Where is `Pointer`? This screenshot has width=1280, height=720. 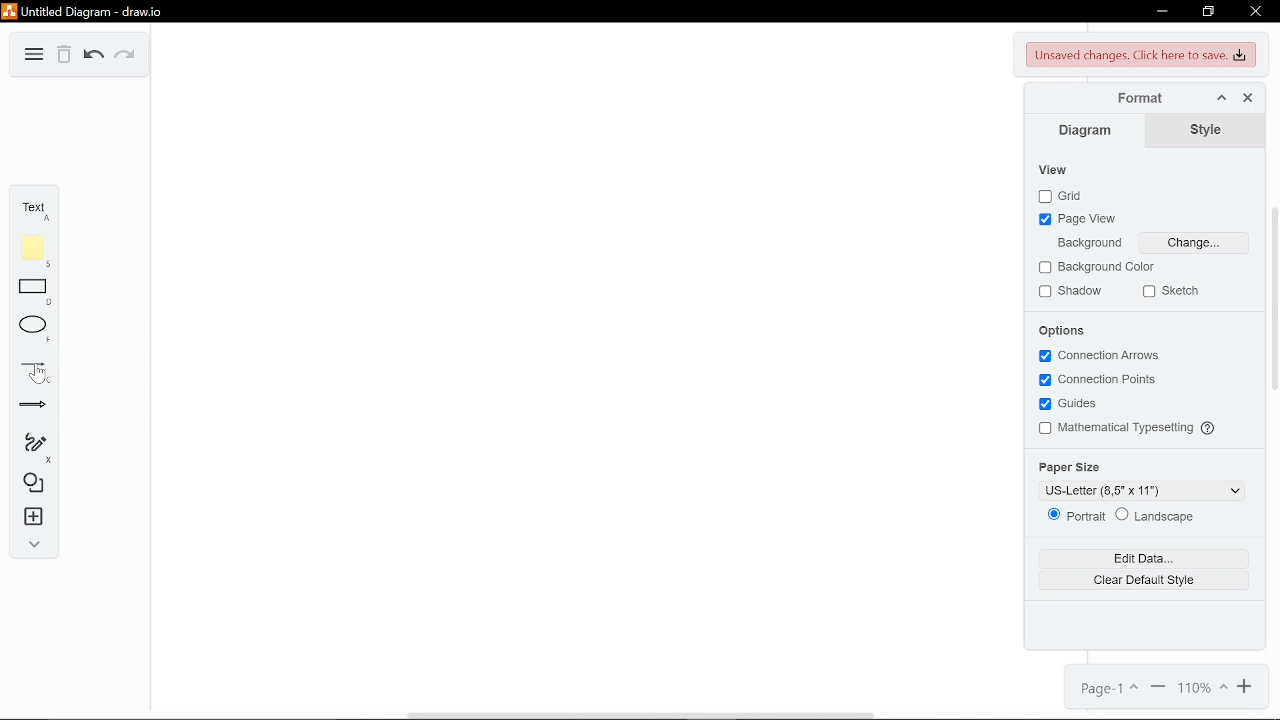 Pointer is located at coordinates (43, 378).